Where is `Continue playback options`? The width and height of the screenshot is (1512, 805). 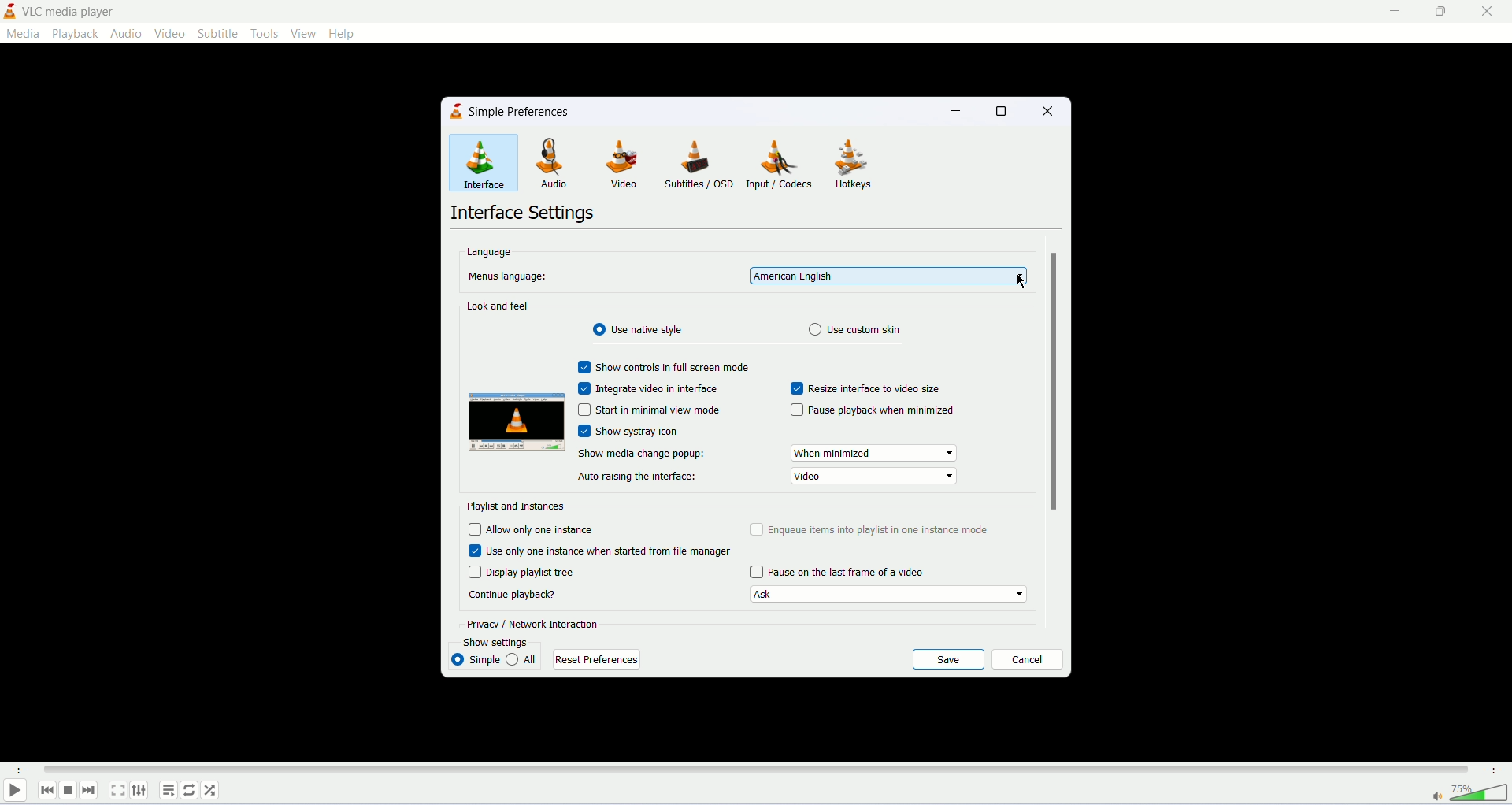 Continue playback options is located at coordinates (889, 595).